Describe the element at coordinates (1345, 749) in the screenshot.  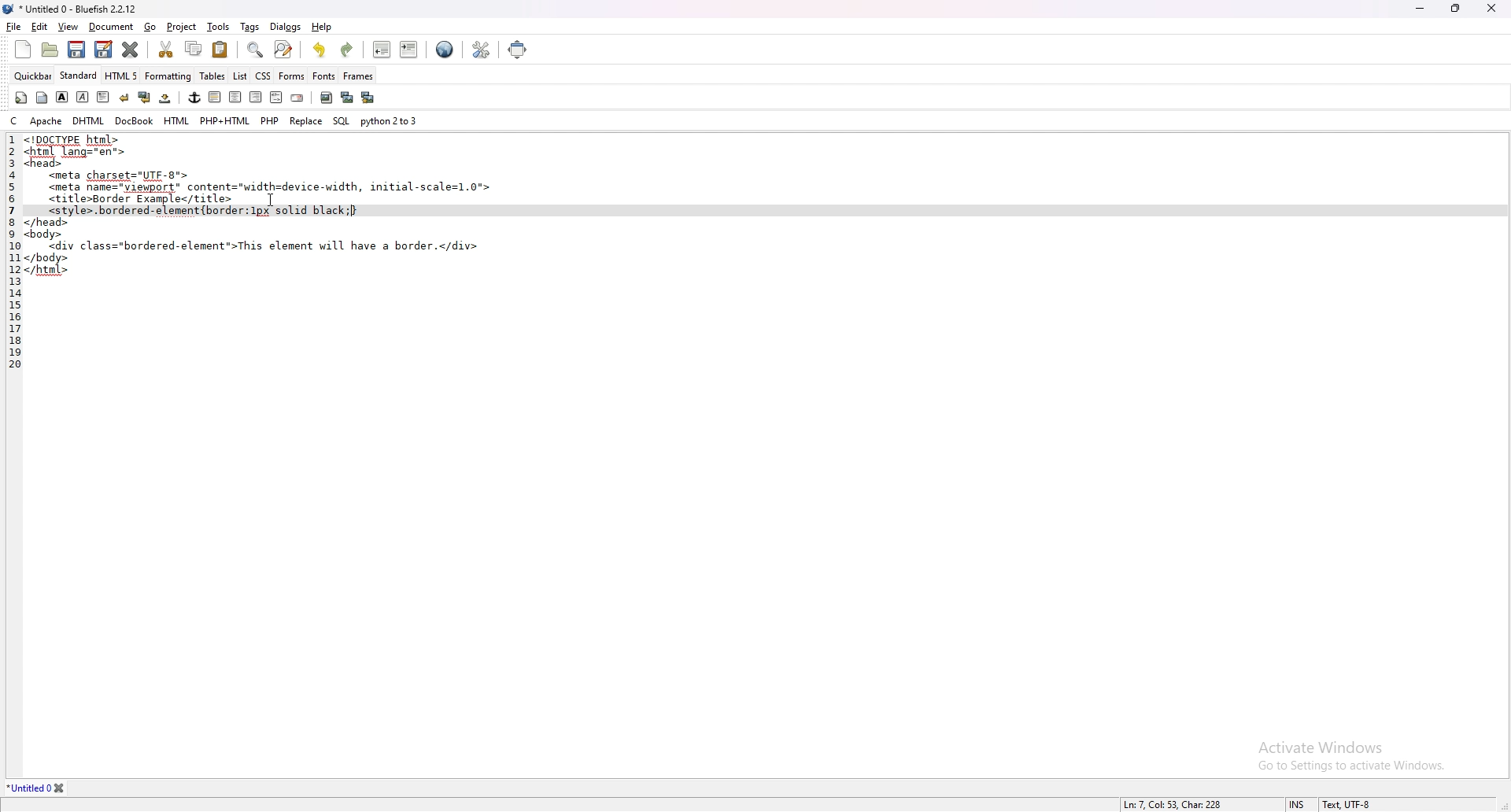
I see `Activate Windows
Go to Settings to activate Windows.` at that location.